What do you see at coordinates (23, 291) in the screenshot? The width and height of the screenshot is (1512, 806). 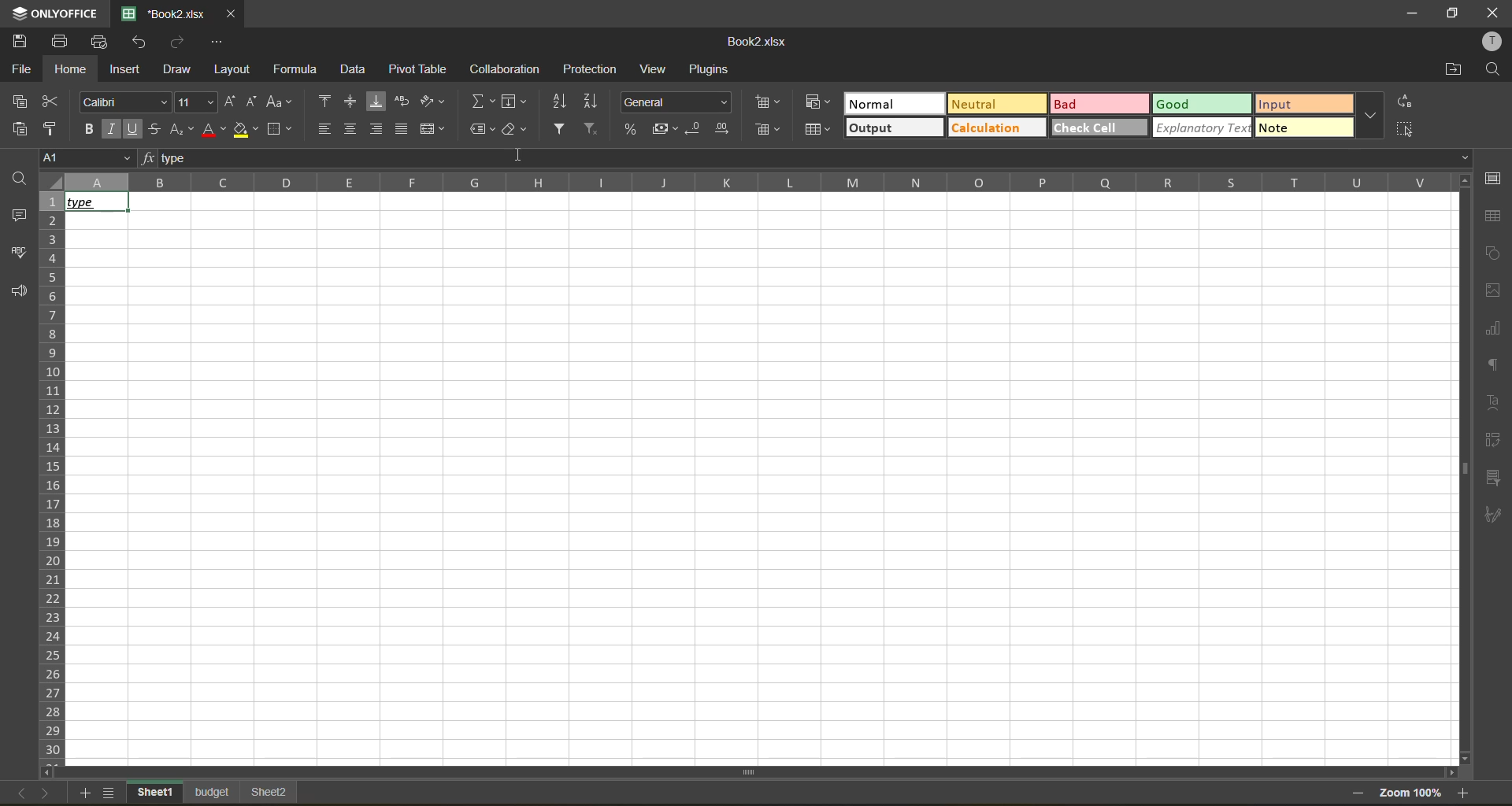 I see `feedback` at bounding box center [23, 291].